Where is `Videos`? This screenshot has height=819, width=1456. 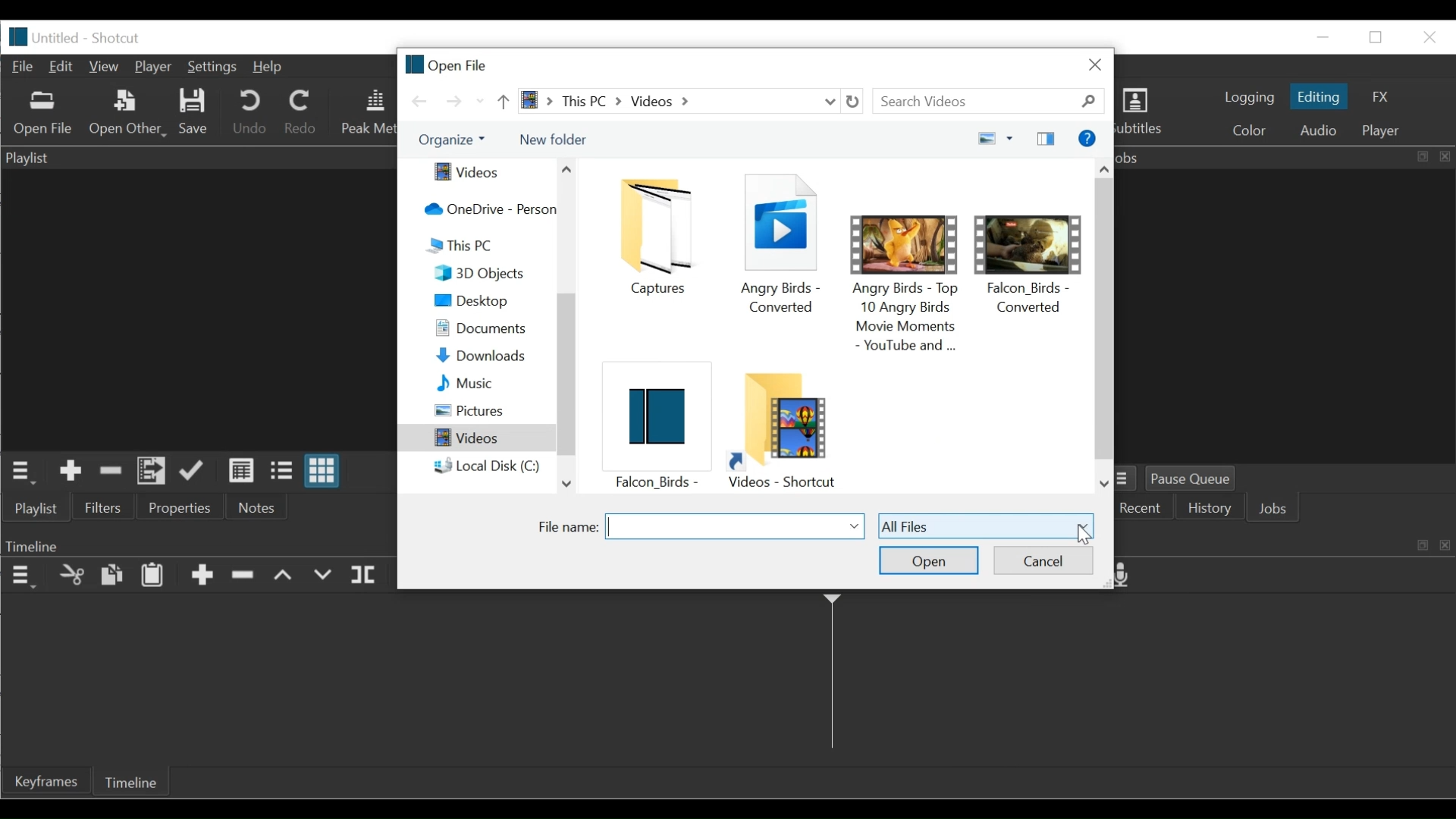 Videos is located at coordinates (476, 438).